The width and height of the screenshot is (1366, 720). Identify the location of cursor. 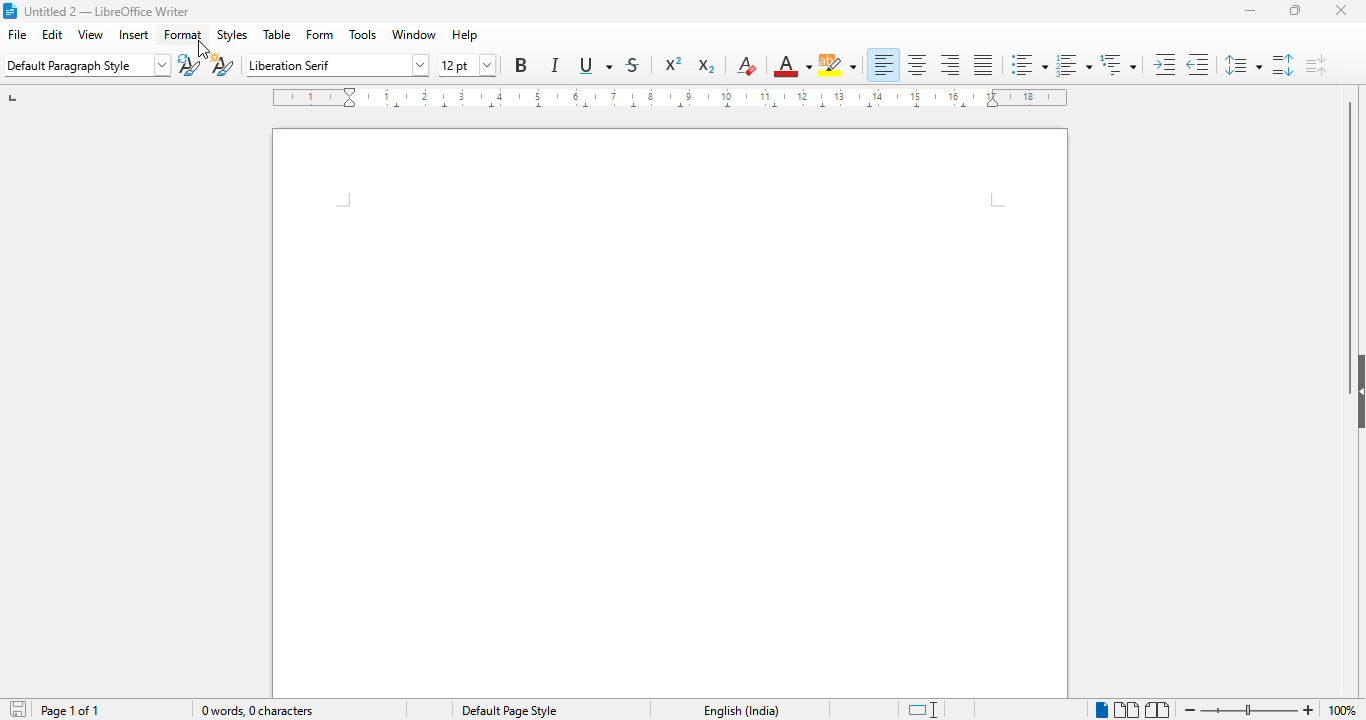
(205, 50).